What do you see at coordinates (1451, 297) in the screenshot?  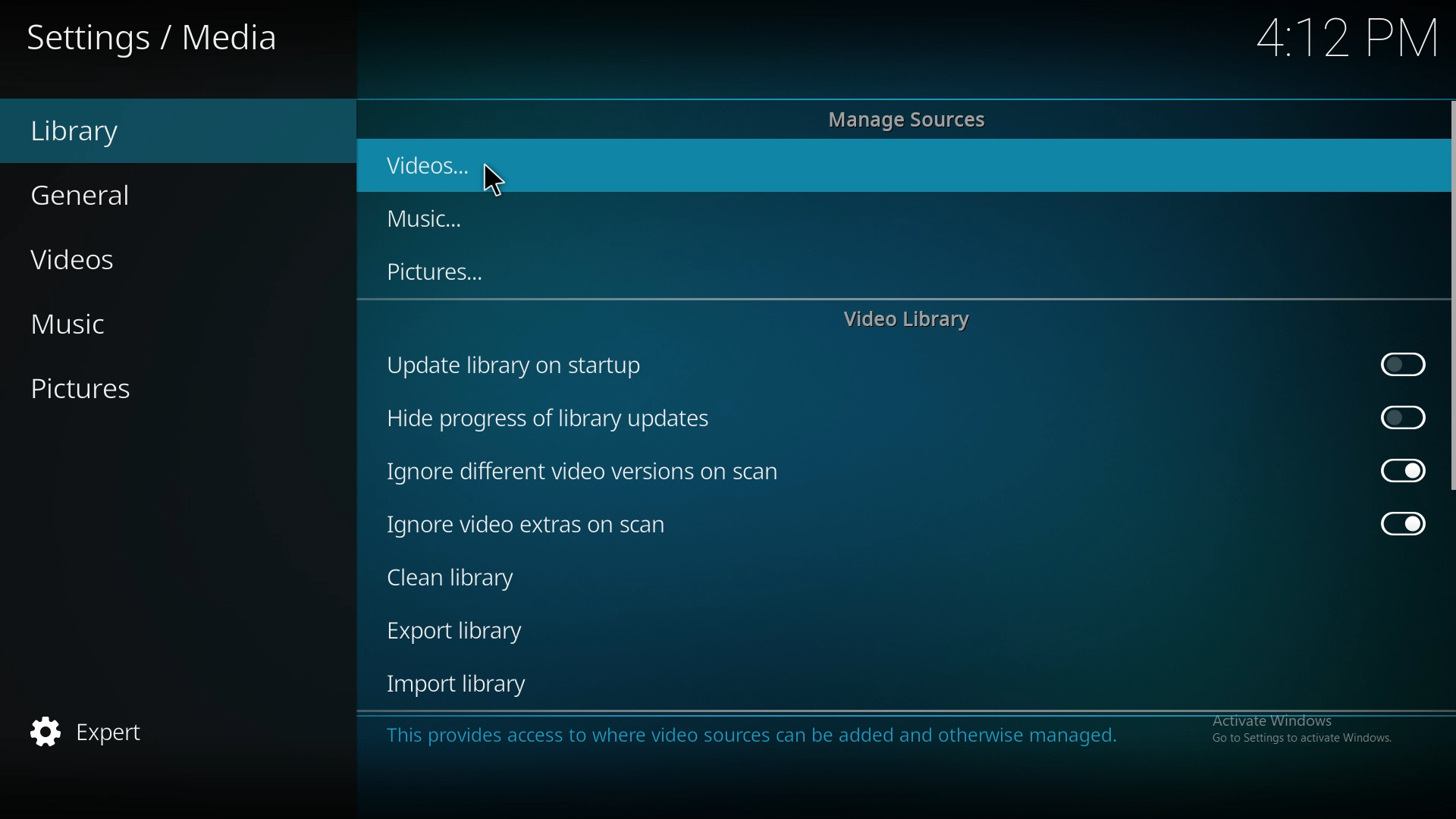 I see `scroll bar` at bounding box center [1451, 297].